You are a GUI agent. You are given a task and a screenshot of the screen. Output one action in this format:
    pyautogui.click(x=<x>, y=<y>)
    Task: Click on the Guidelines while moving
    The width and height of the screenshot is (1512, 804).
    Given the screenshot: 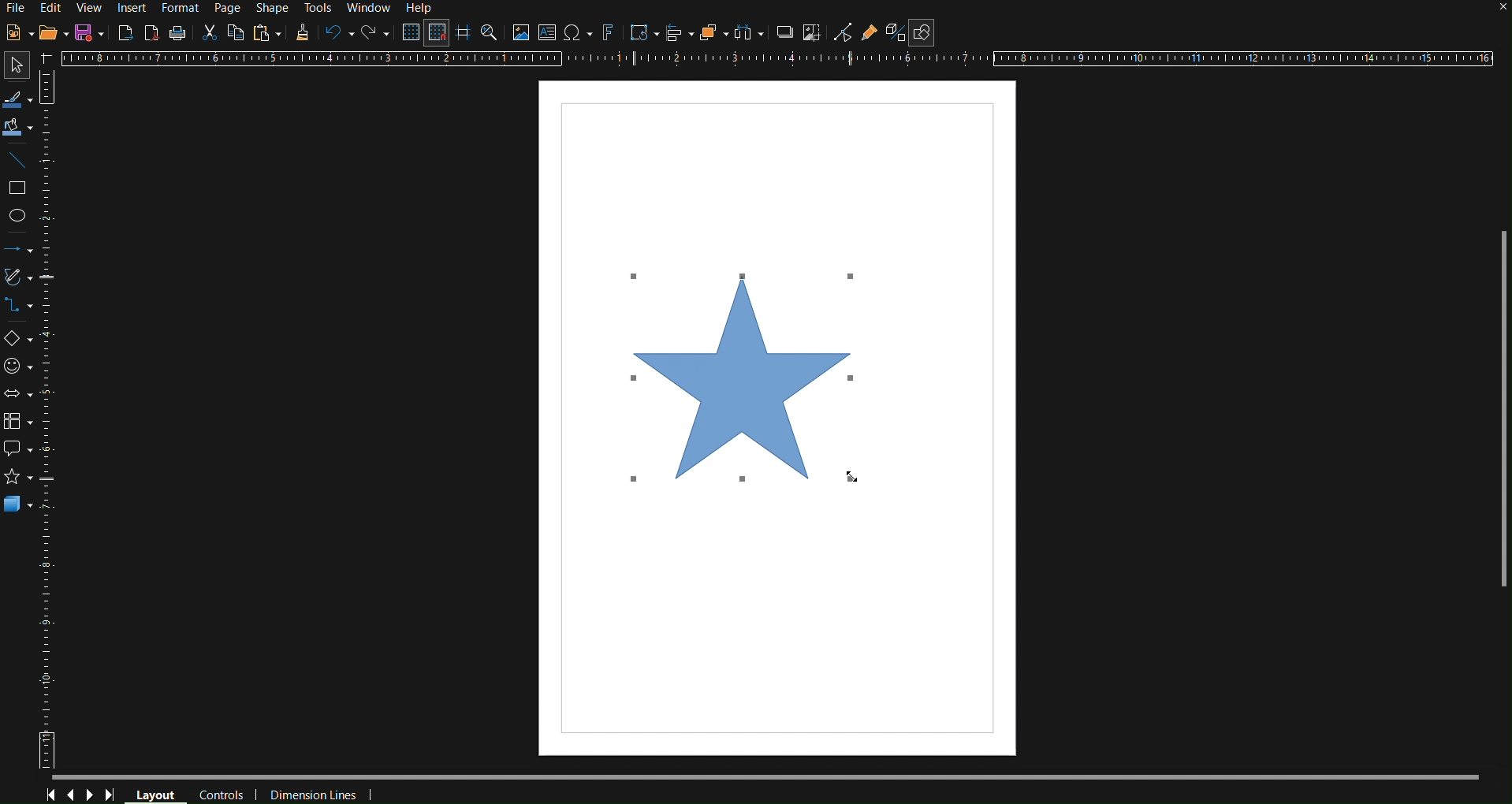 What is the action you would take?
    pyautogui.click(x=464, y=34)
    